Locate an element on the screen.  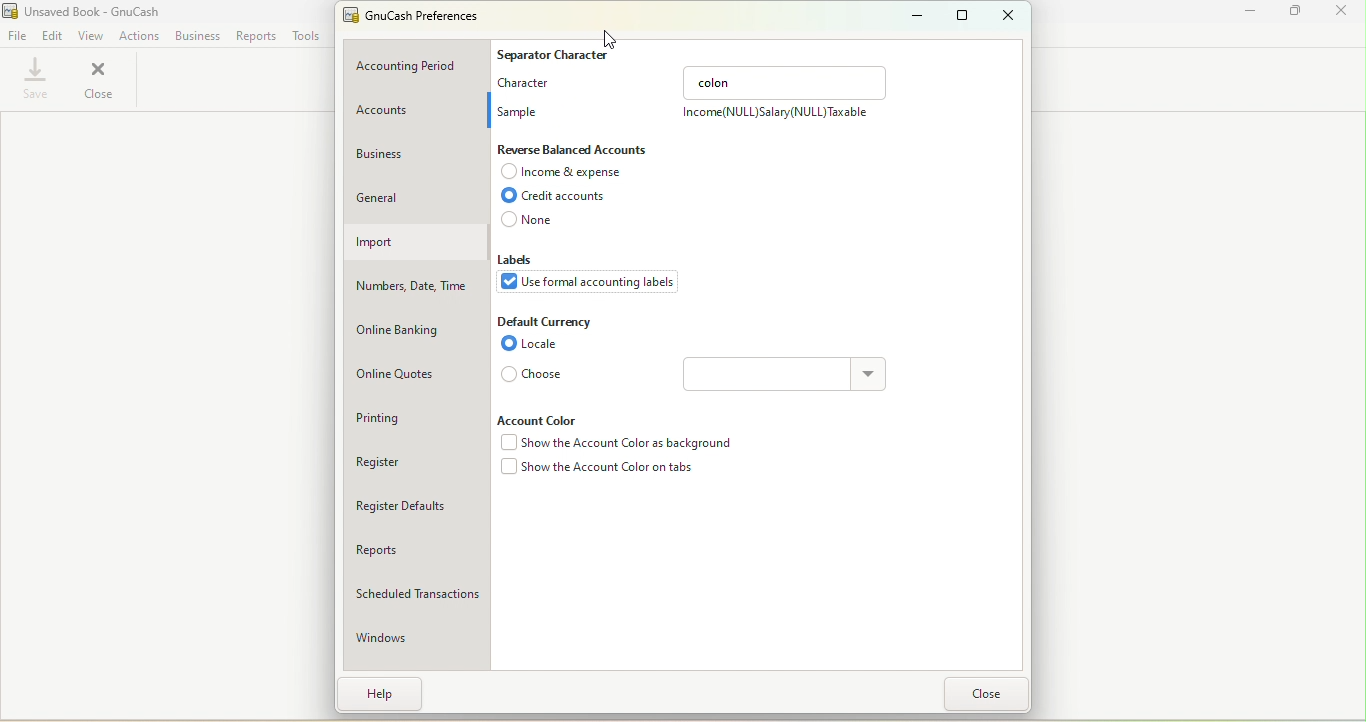
Labels is located at coordinates (523, 261).